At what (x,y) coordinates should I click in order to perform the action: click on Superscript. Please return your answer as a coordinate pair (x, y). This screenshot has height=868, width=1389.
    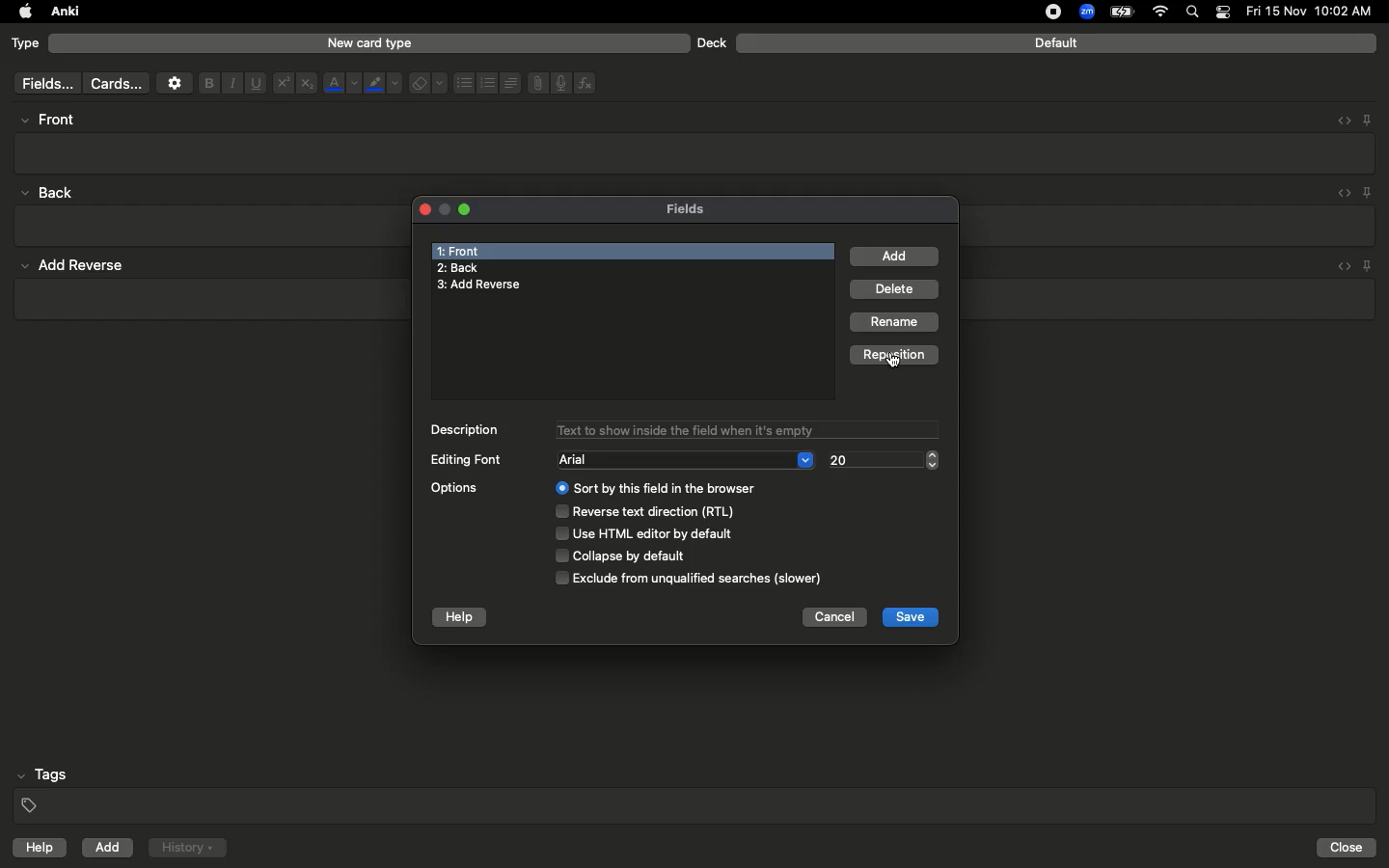
    Looking at the image, I should click on (282, 84).